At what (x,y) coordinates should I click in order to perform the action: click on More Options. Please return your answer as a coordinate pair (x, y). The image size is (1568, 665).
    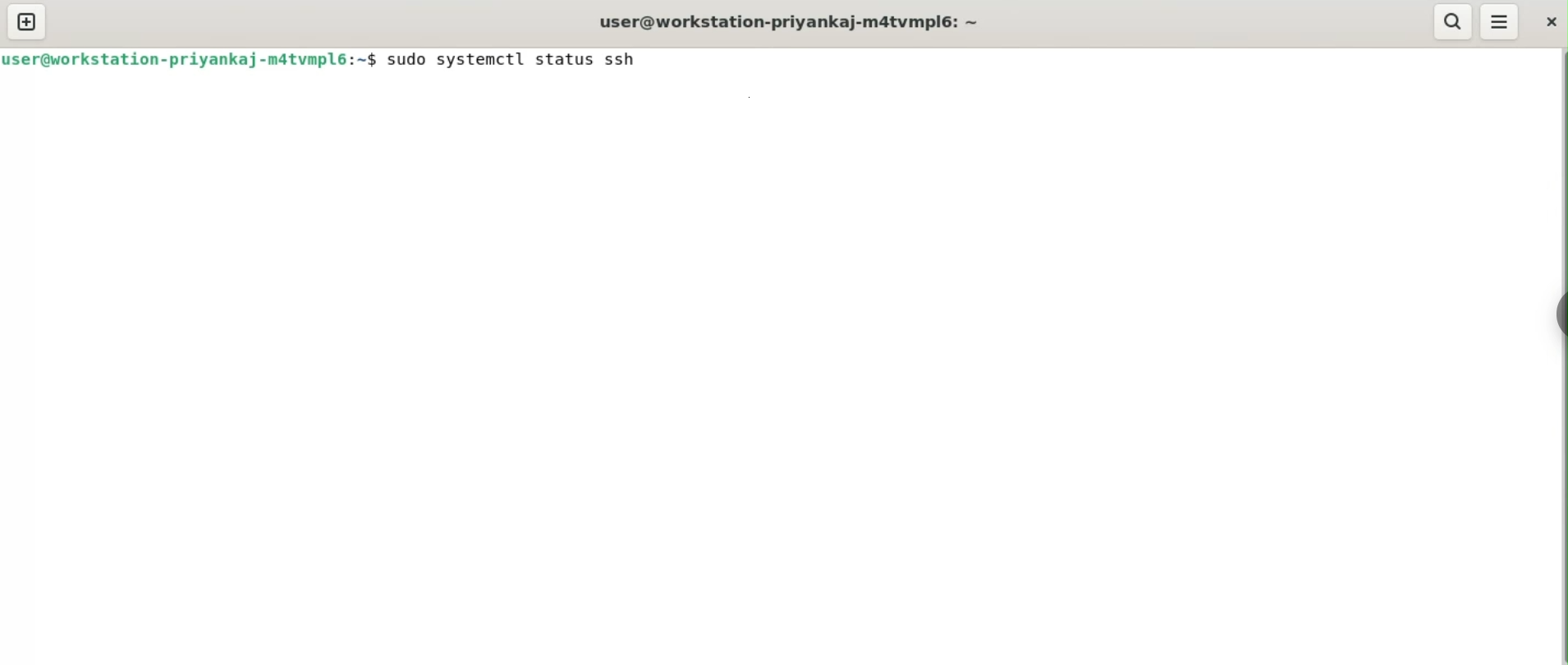
    Looking at the image, I should click on (1506, 22).